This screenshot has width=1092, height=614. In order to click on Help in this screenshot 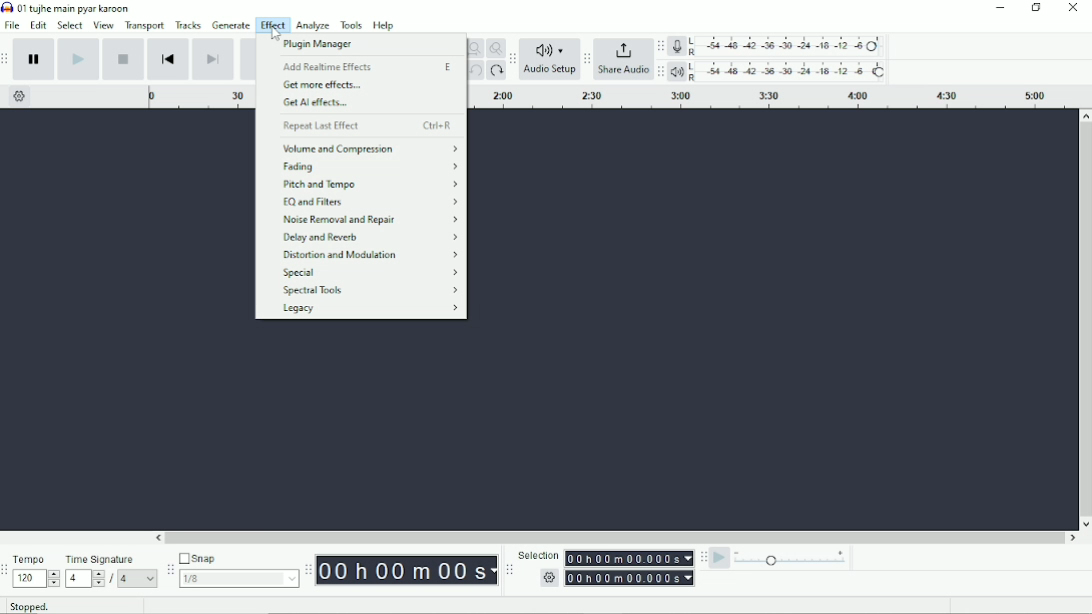, I will do `click(385, 26)`.